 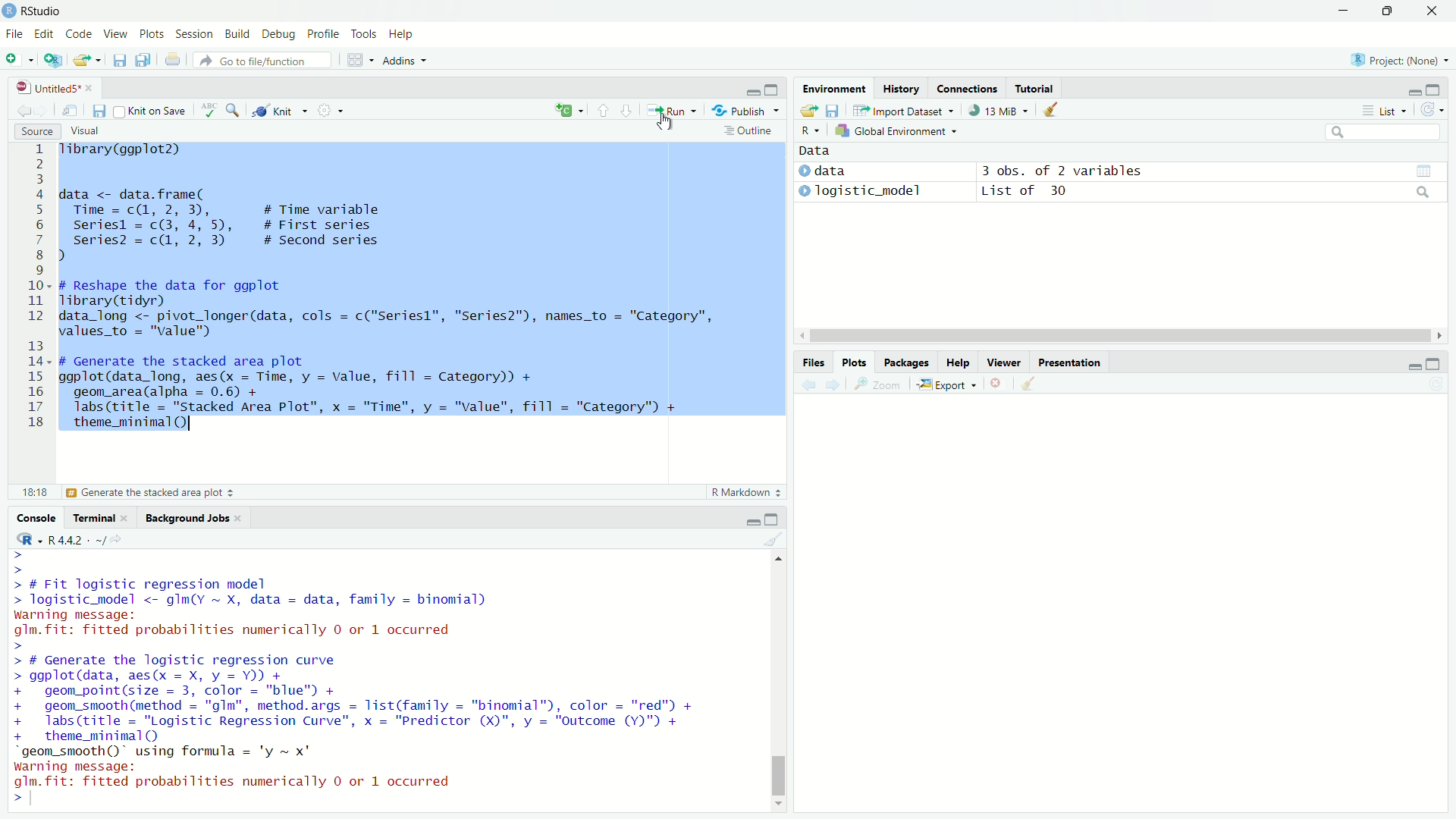 I want to click on R, so click(x=1354, y=59).